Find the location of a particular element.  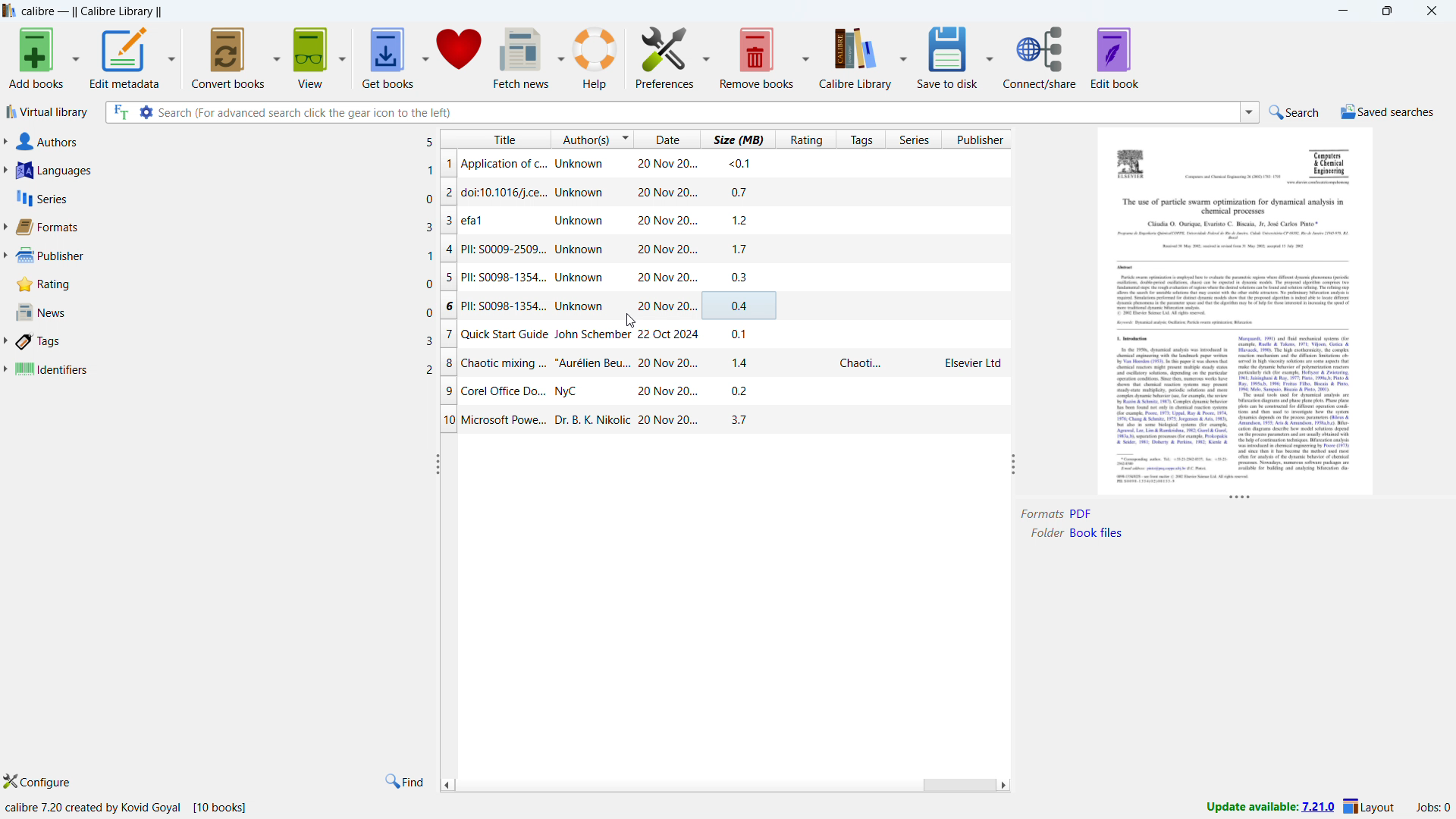

sort by date is located at coordinates (666, 139).